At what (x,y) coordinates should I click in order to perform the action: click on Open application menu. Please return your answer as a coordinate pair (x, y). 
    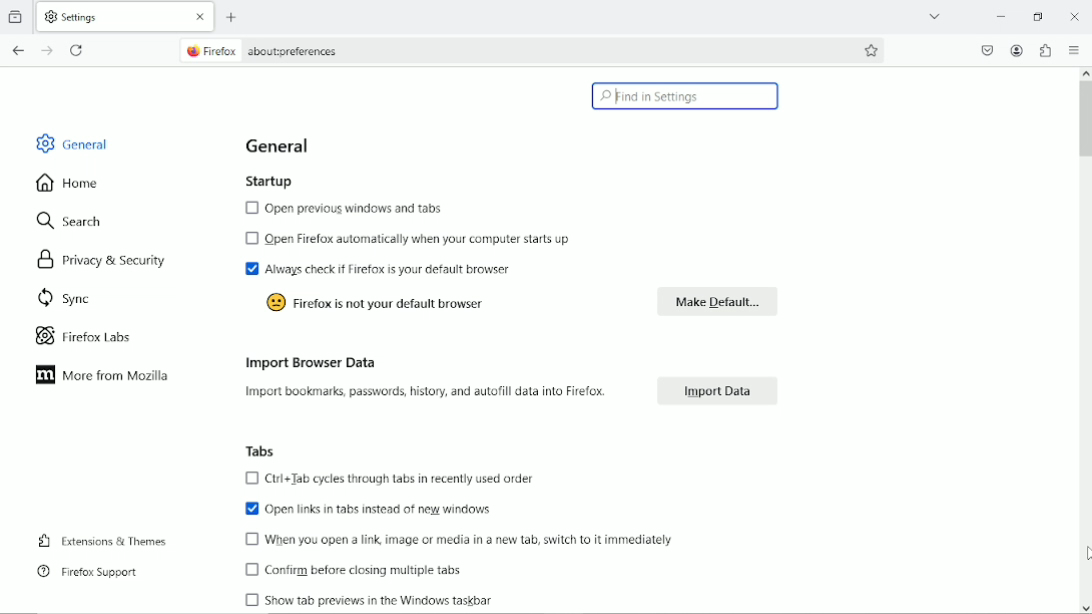
    Looking at the image, I should click on (1074, 49).